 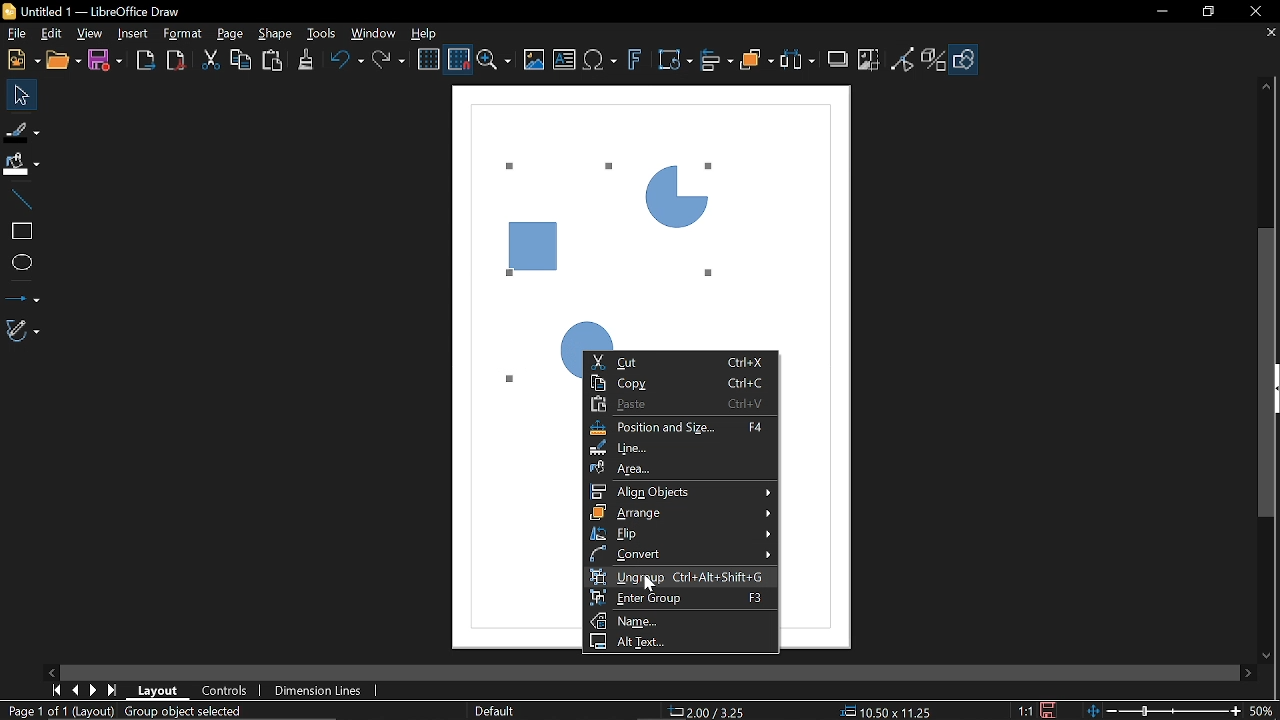 I want to click on Format, so click(x=182, y=34).